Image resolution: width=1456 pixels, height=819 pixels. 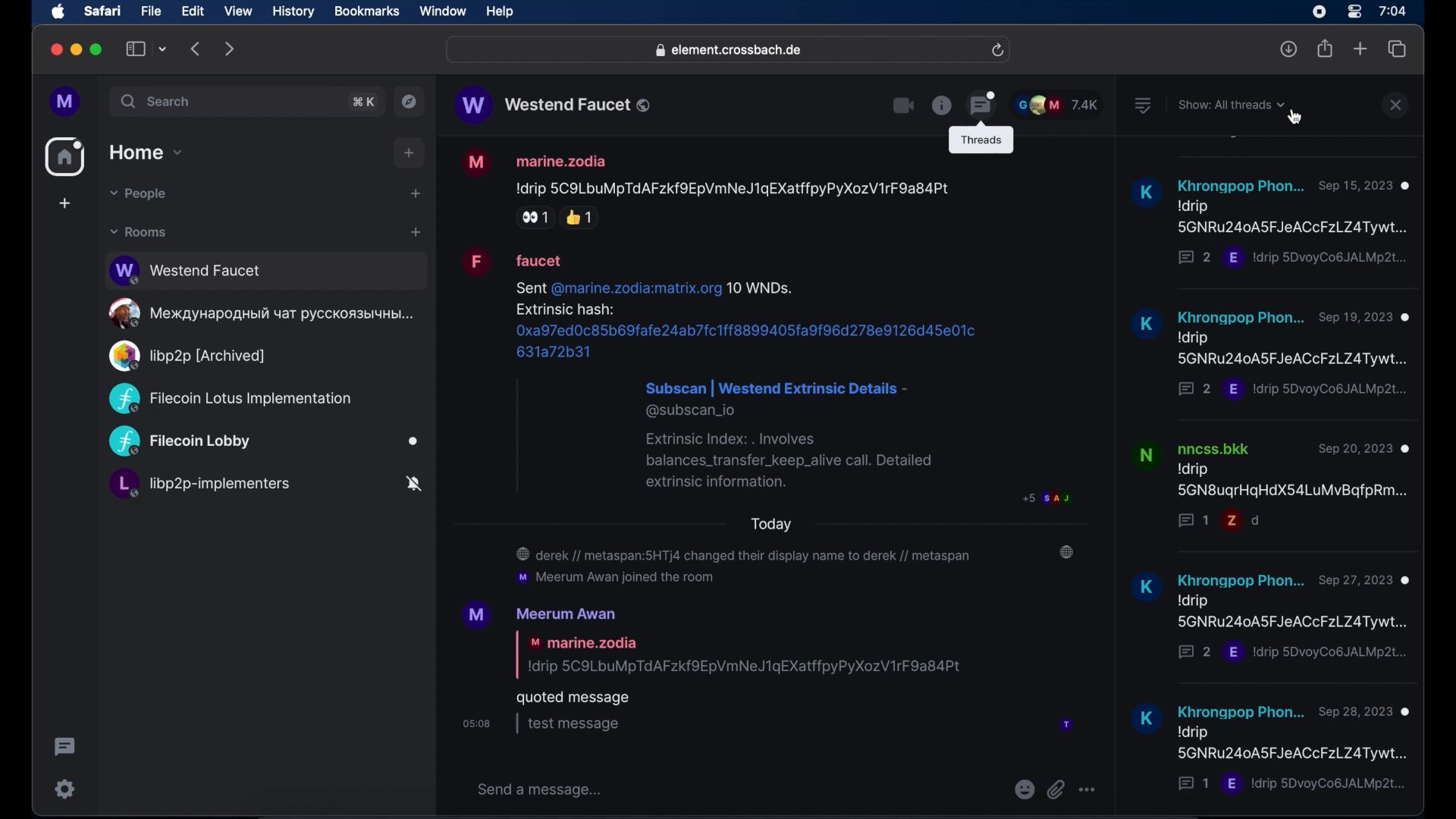 I want to click on tab group picker, so click(x=165, y=49).